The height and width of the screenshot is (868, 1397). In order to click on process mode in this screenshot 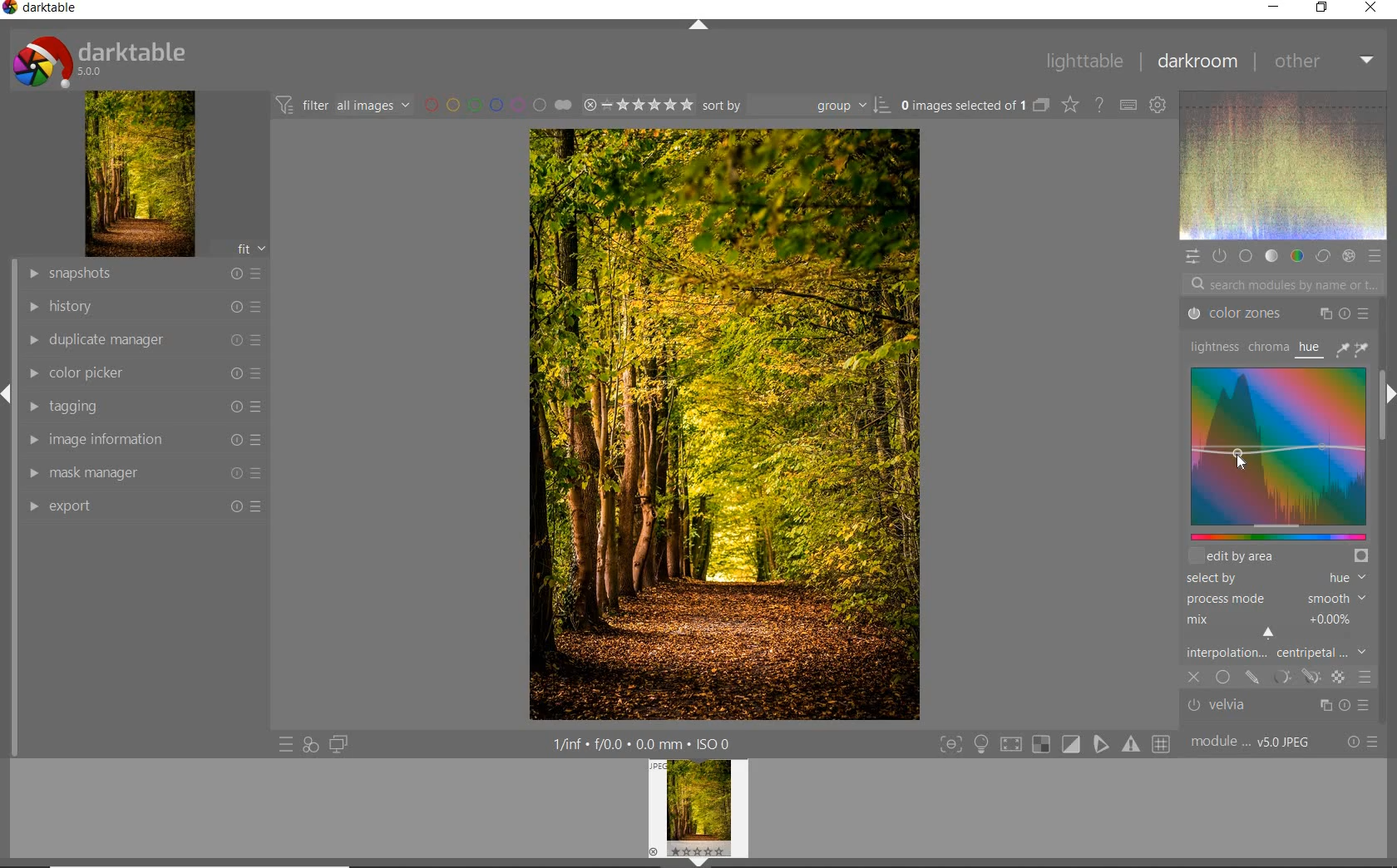, I will do `click(1281, 598)`.